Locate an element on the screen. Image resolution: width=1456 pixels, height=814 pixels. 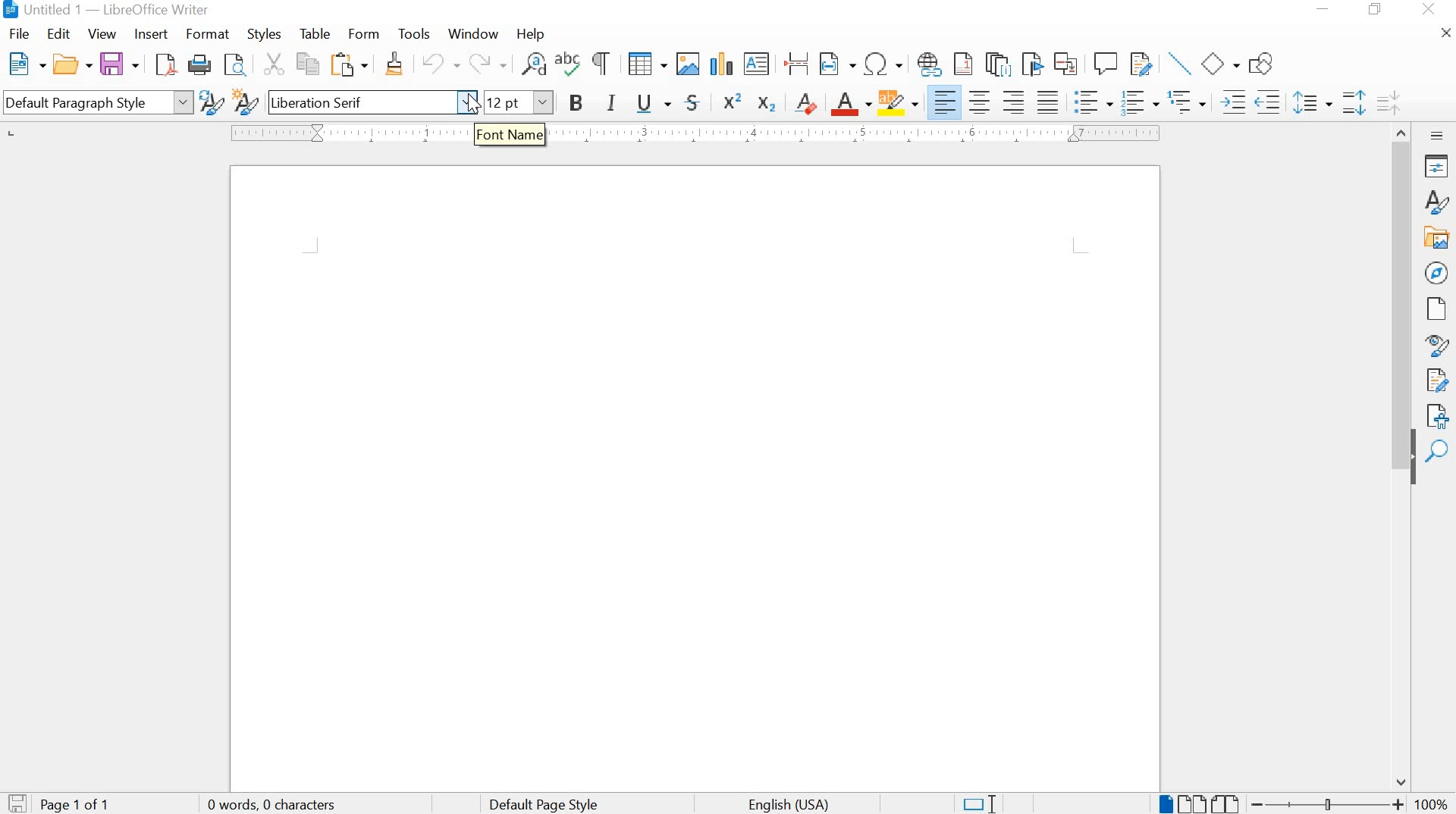
INCREASE PARAGRAPH SPACING is located at coordinates (1354, 101).